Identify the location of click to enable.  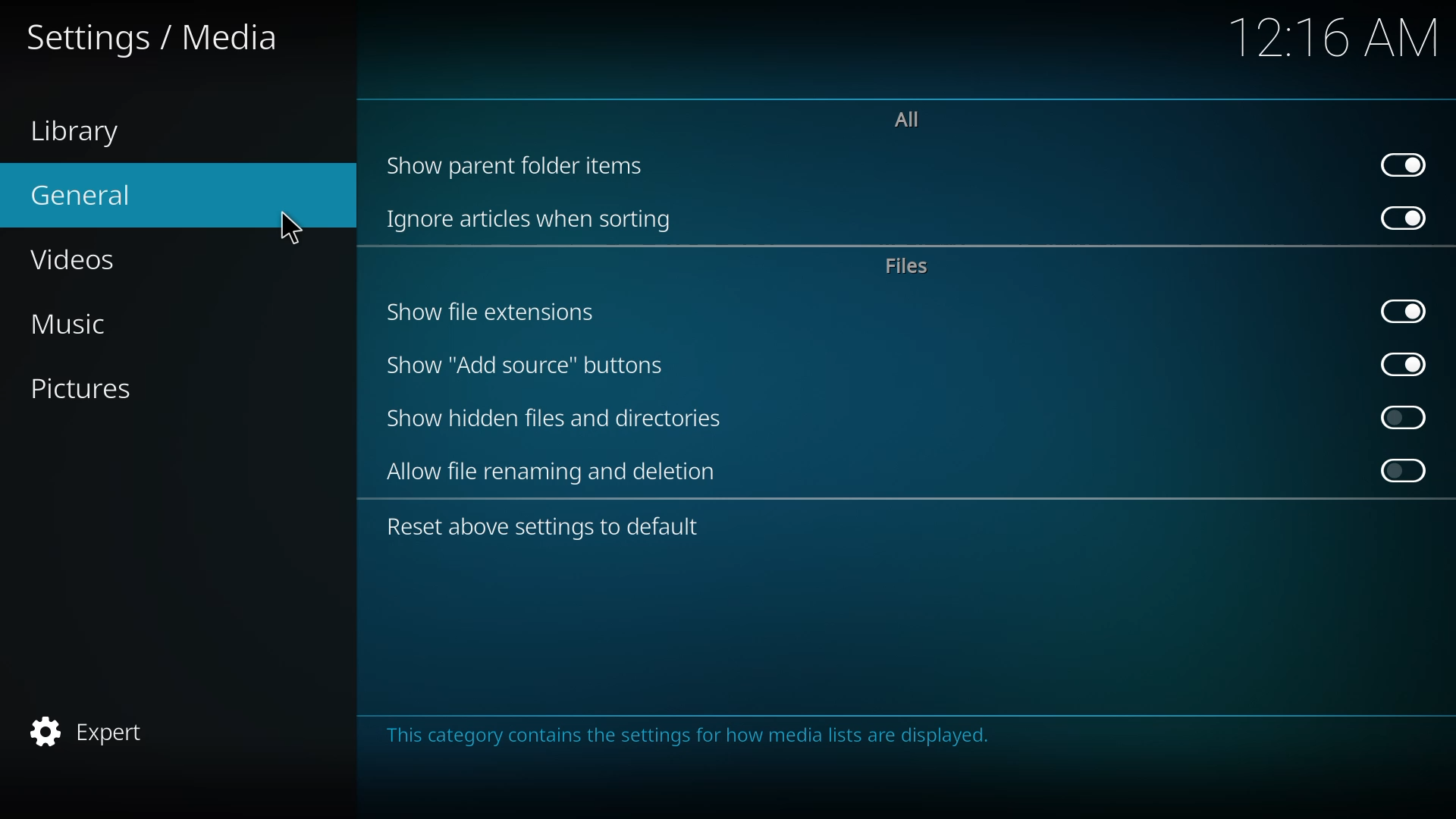
(1404, 417).